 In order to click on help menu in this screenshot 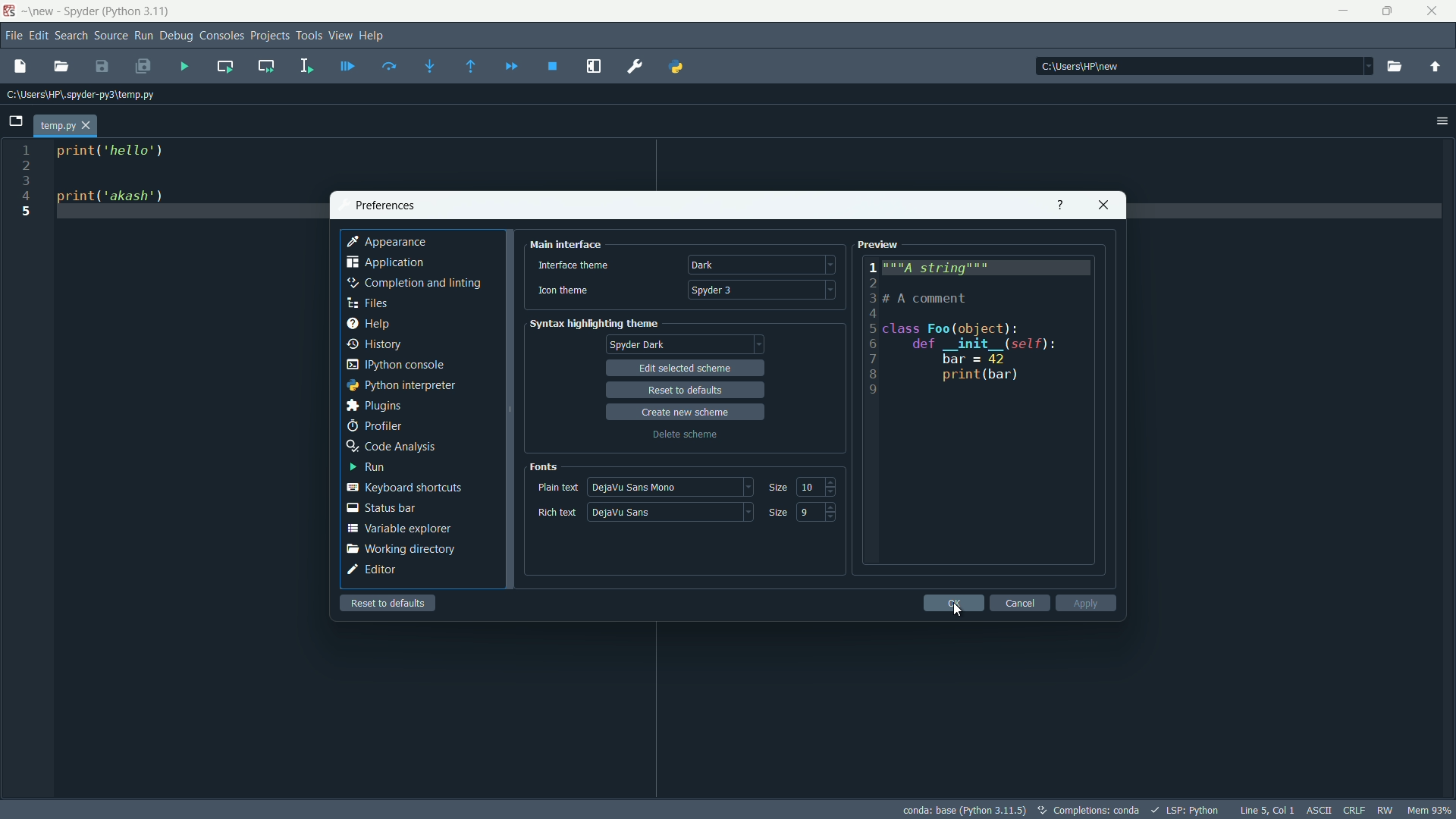, I will do `click(375, 35)`.